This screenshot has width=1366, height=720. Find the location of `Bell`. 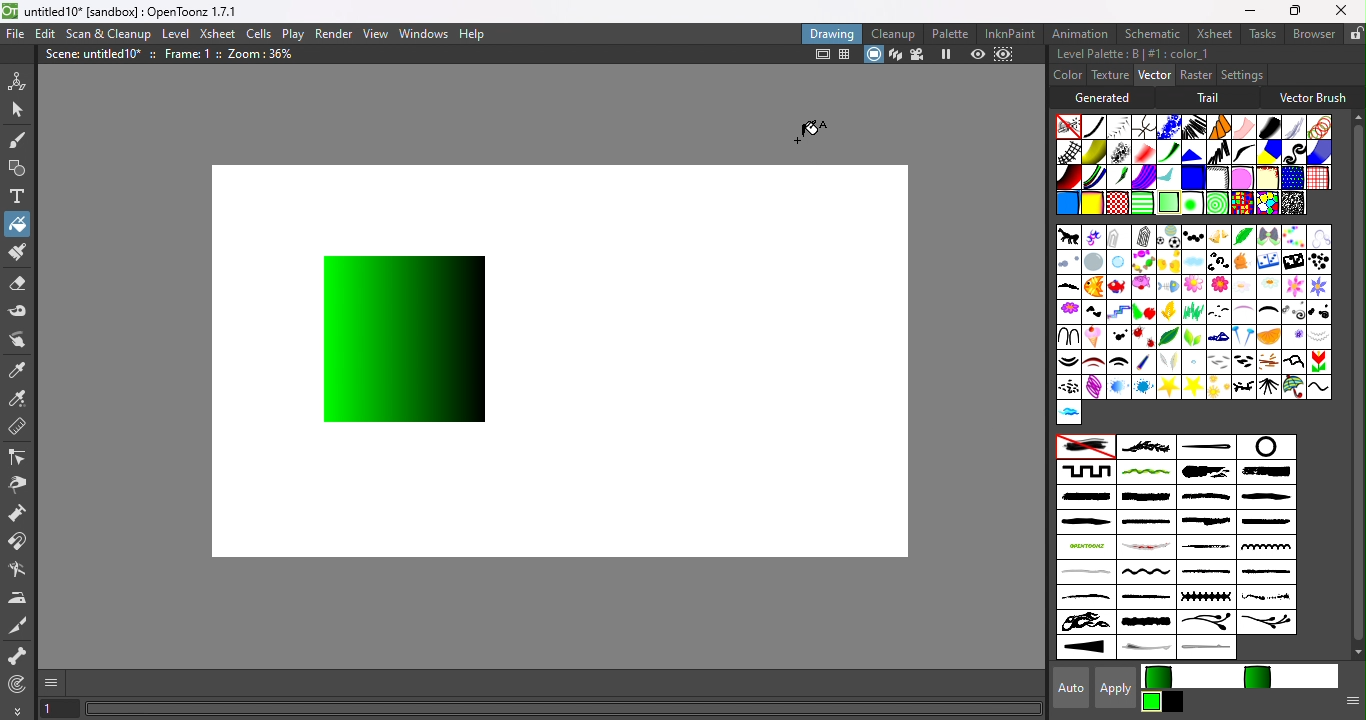

Bell is located at coordinates (1217, 237).